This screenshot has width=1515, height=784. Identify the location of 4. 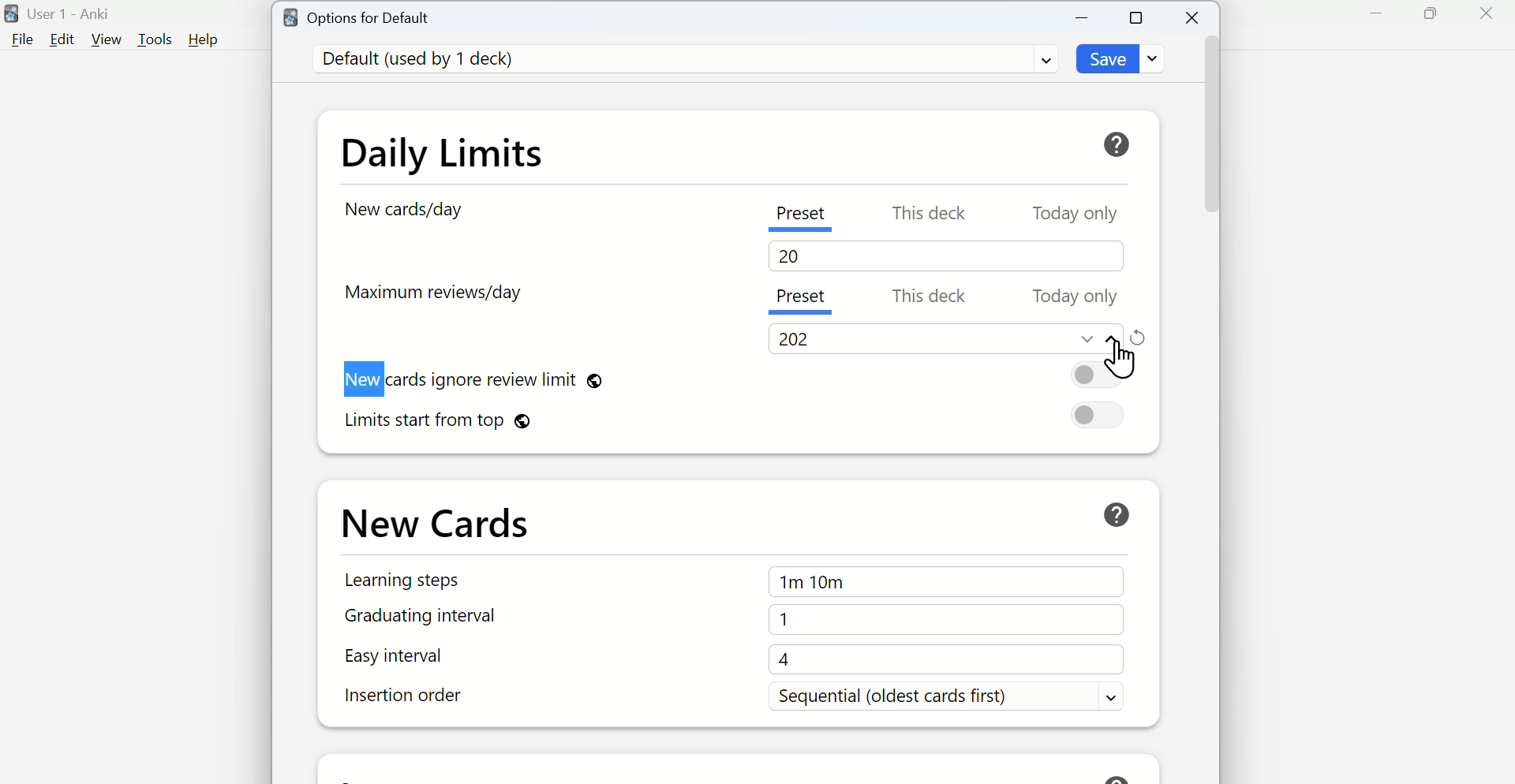
(947, 659).